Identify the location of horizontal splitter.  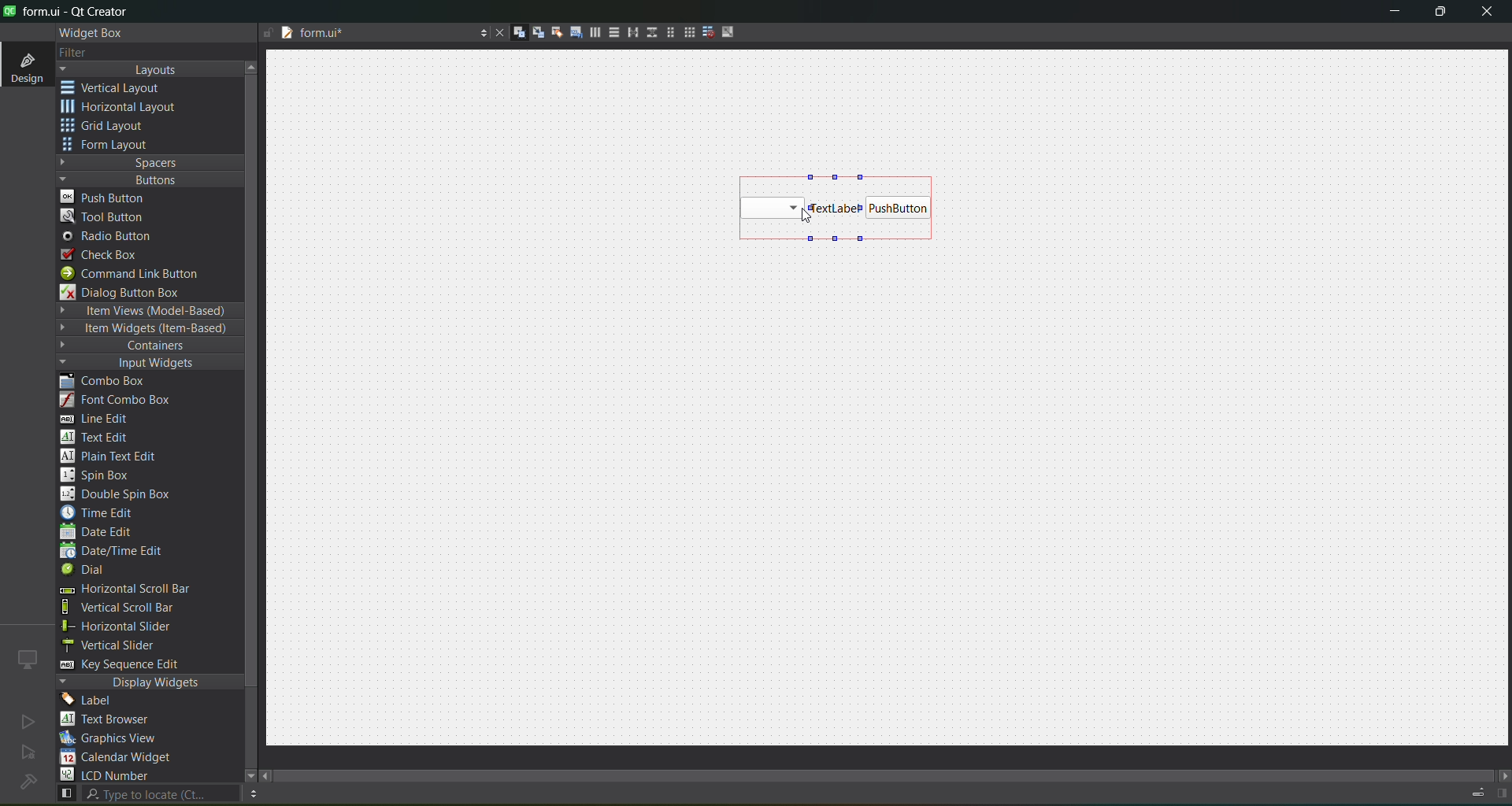
(628, 33).